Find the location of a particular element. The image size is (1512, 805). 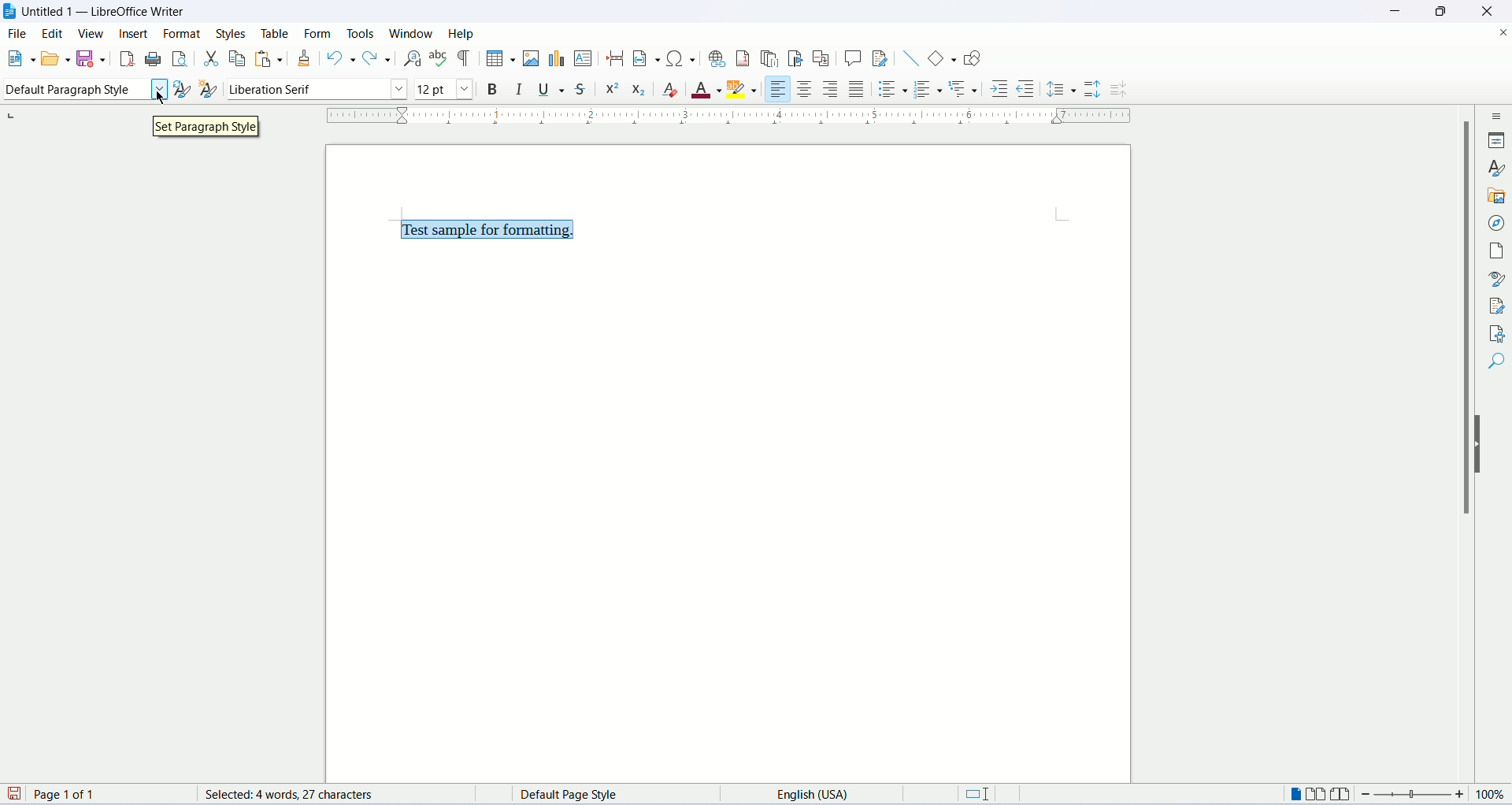

cursor is located at coordinates (167, 102).